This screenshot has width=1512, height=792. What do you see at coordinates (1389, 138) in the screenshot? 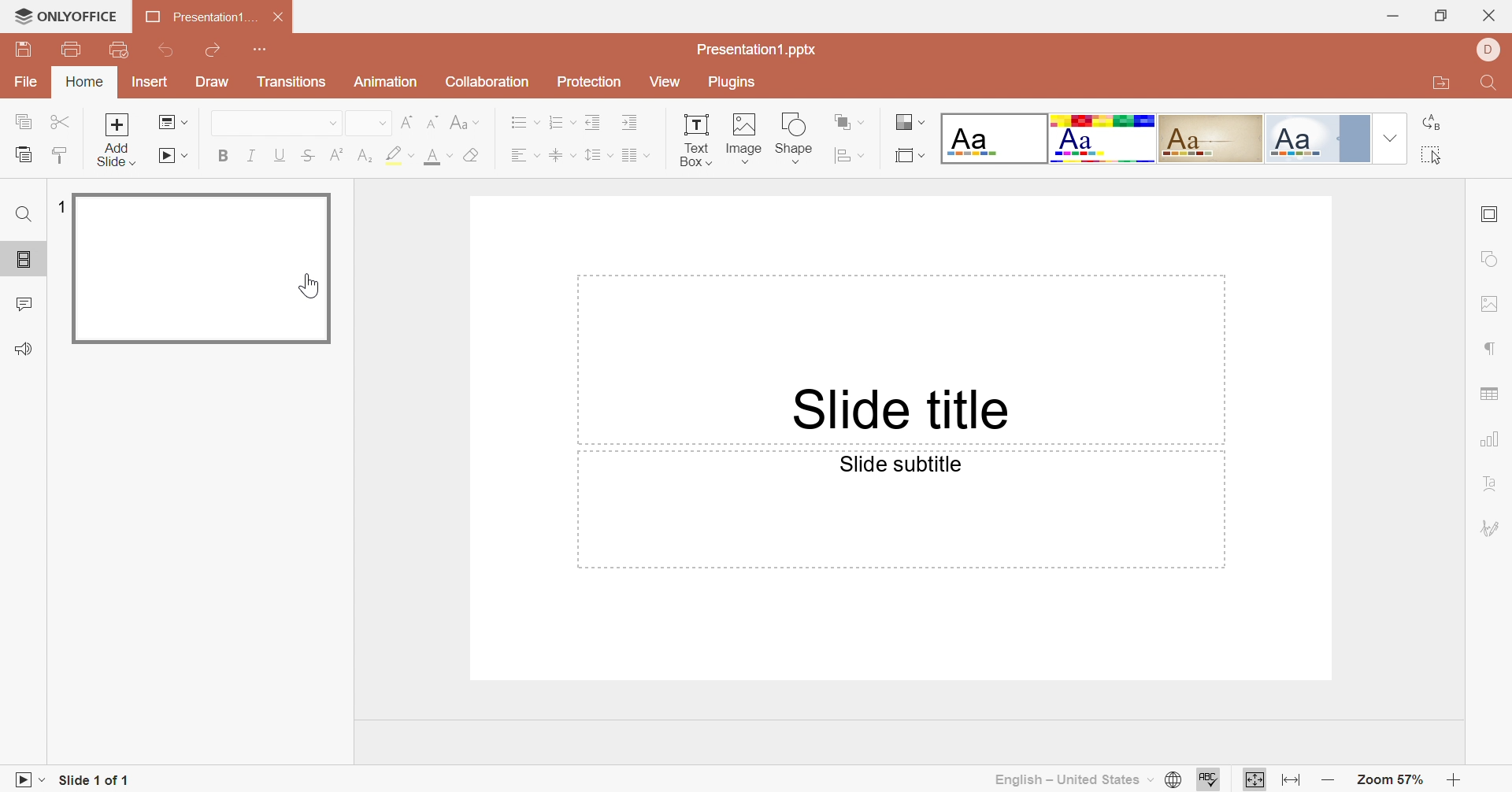
I see `Drop Down` at bounding box center [1389, 138].